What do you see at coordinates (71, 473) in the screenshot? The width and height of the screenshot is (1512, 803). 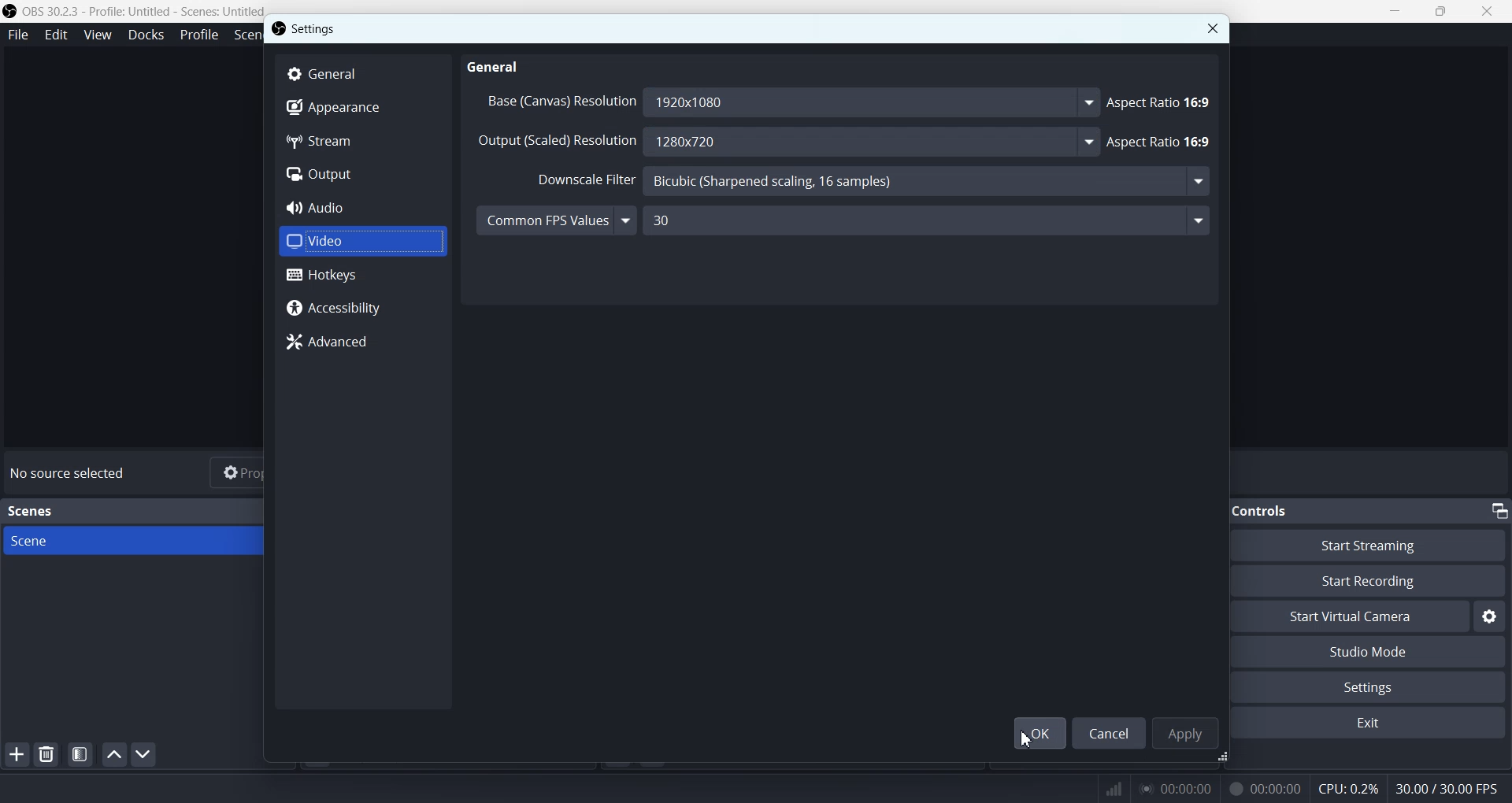 I see `Text` at bounding box center [71, 473].